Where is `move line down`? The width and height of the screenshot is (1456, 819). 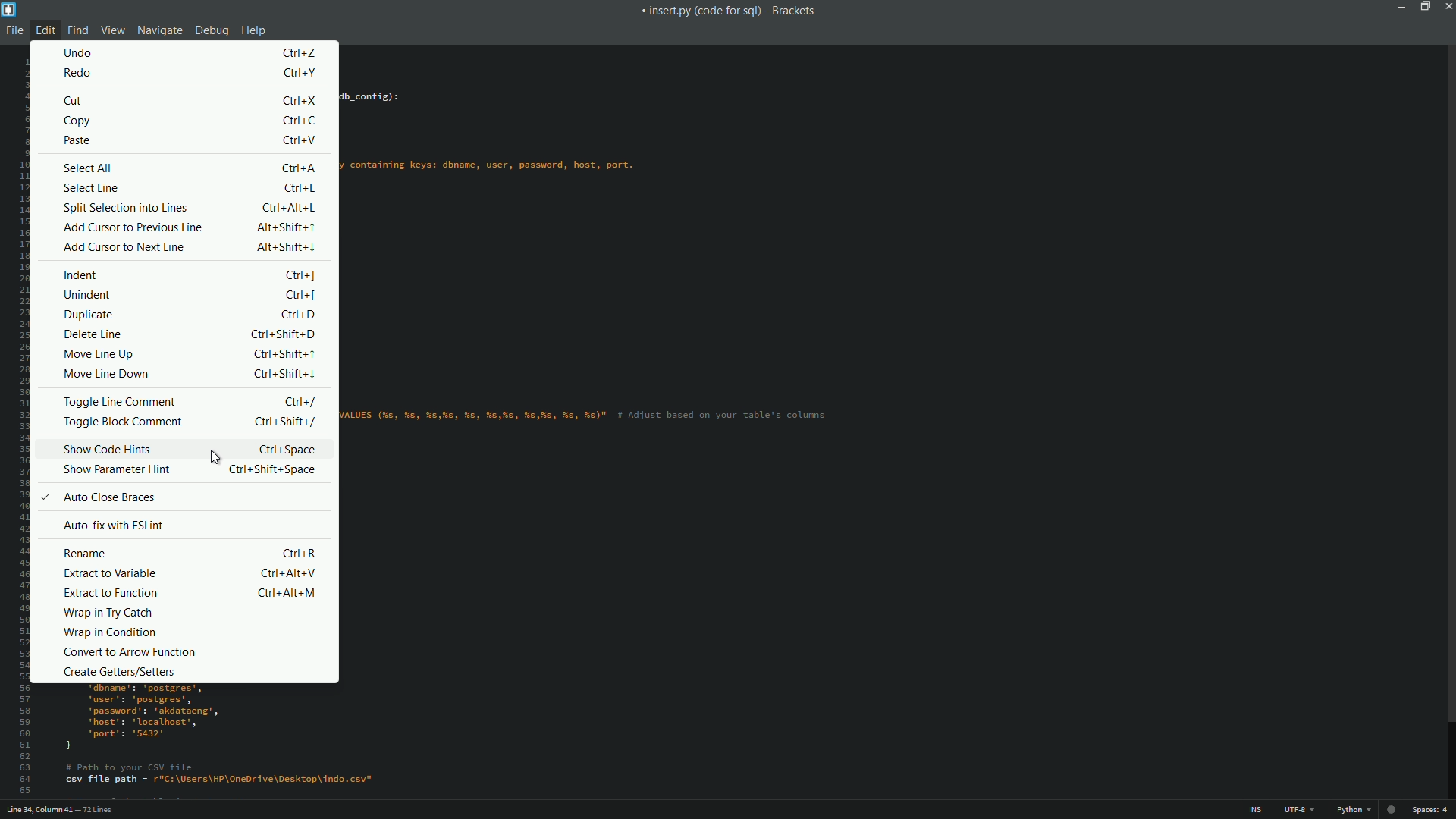 move line down is located at coordinates (108, 376).